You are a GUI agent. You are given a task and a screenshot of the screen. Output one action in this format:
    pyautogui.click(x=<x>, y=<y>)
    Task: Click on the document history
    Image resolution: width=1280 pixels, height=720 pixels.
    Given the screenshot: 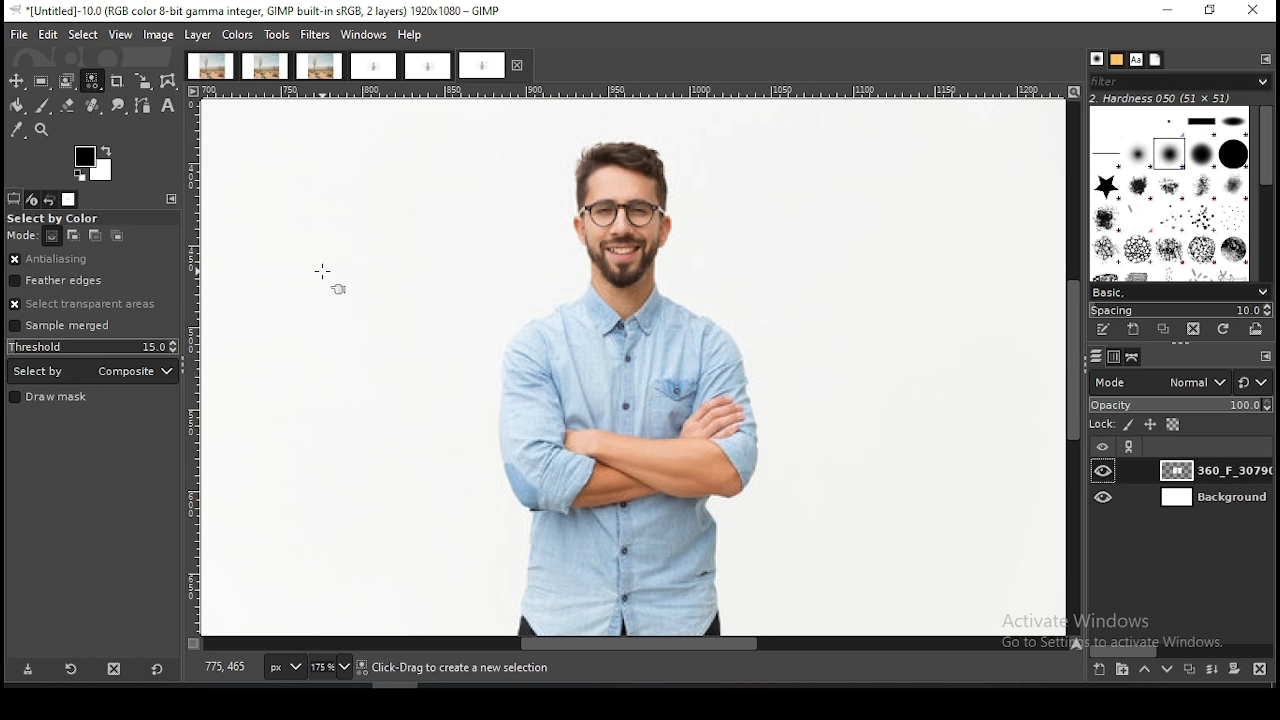 What is the action you would take?
    pyautogui.click(x=1156, y=59)
    